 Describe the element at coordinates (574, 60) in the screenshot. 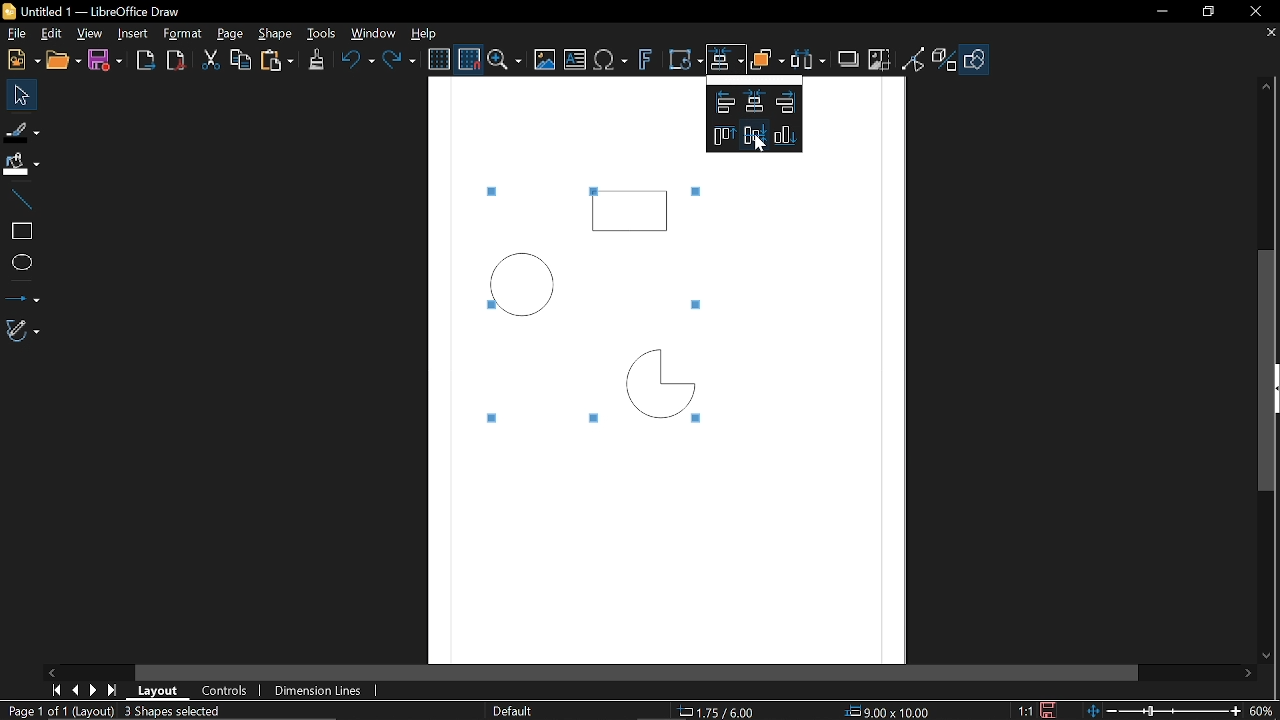

I see `Insert text` at that location.